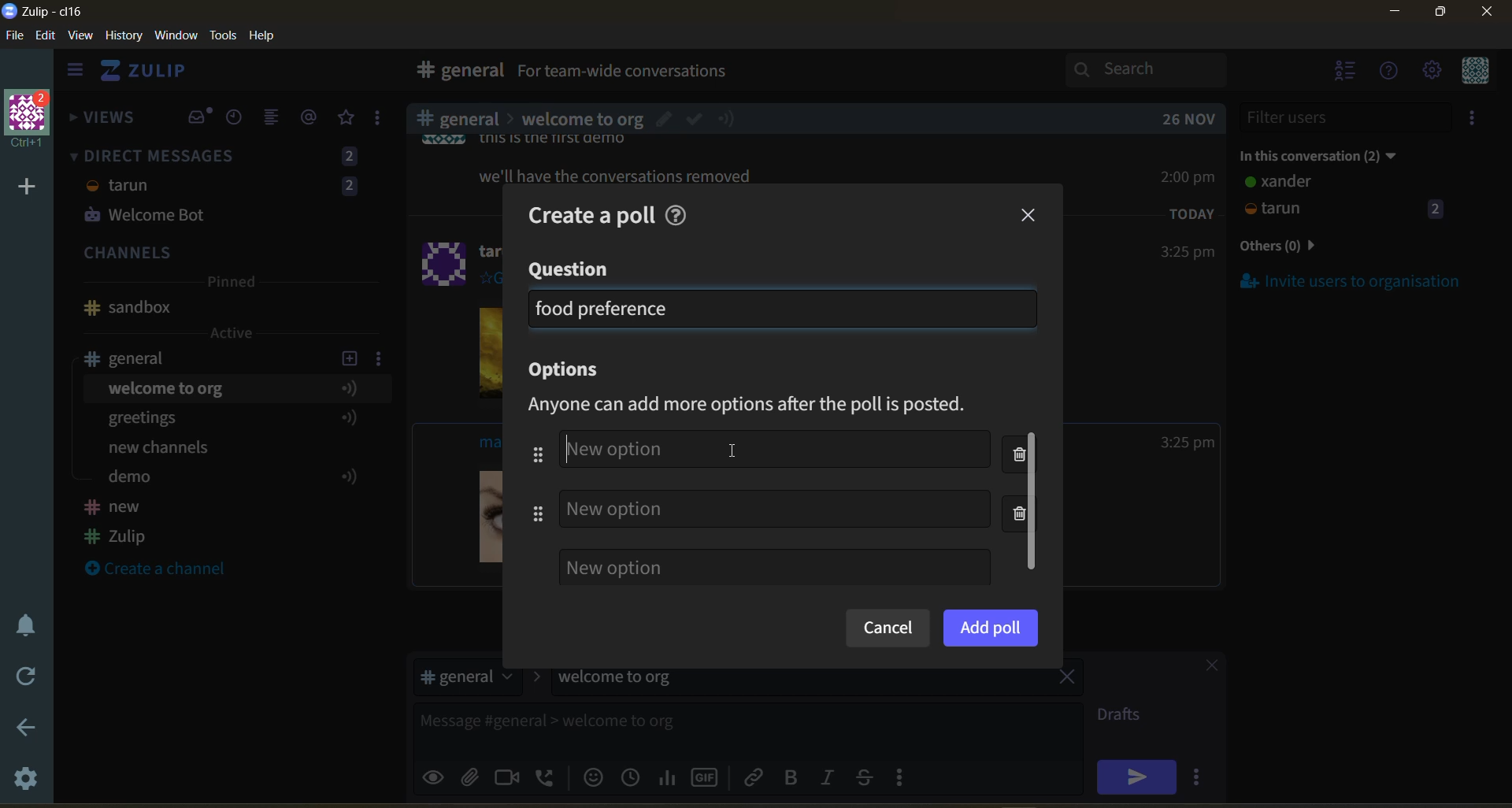 Image resolution: width=1512 pixels, height=808 pixels. What do you see at coordinates (591, 776) in the screenshot?
I see `add emoji` at bounding box center [591, 776].